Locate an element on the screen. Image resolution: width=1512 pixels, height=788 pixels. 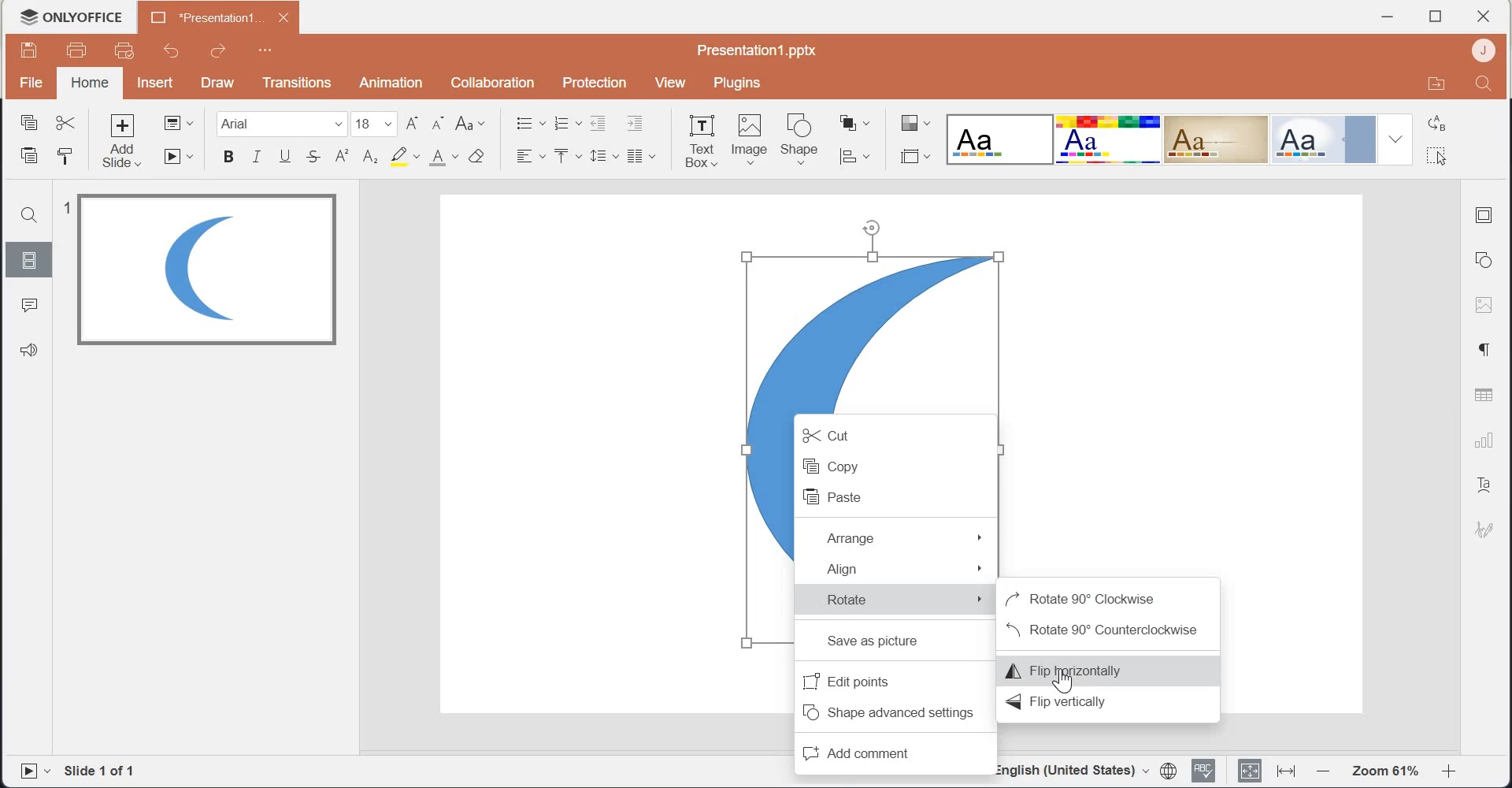
Align is located at coordinates (897, 568).